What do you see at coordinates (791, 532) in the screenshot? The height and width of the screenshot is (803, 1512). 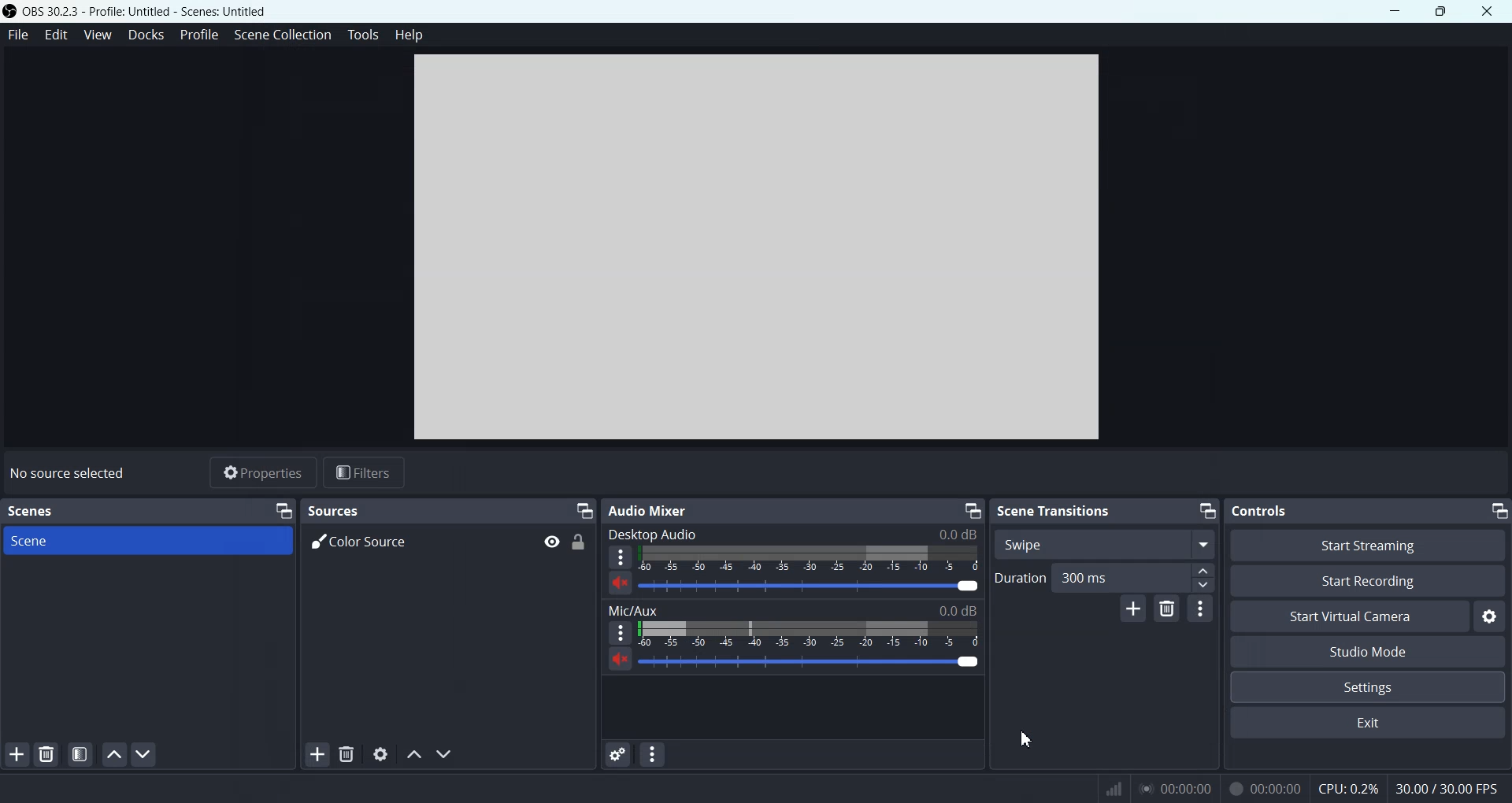 I see `Text` at bounding box center [791, 532].